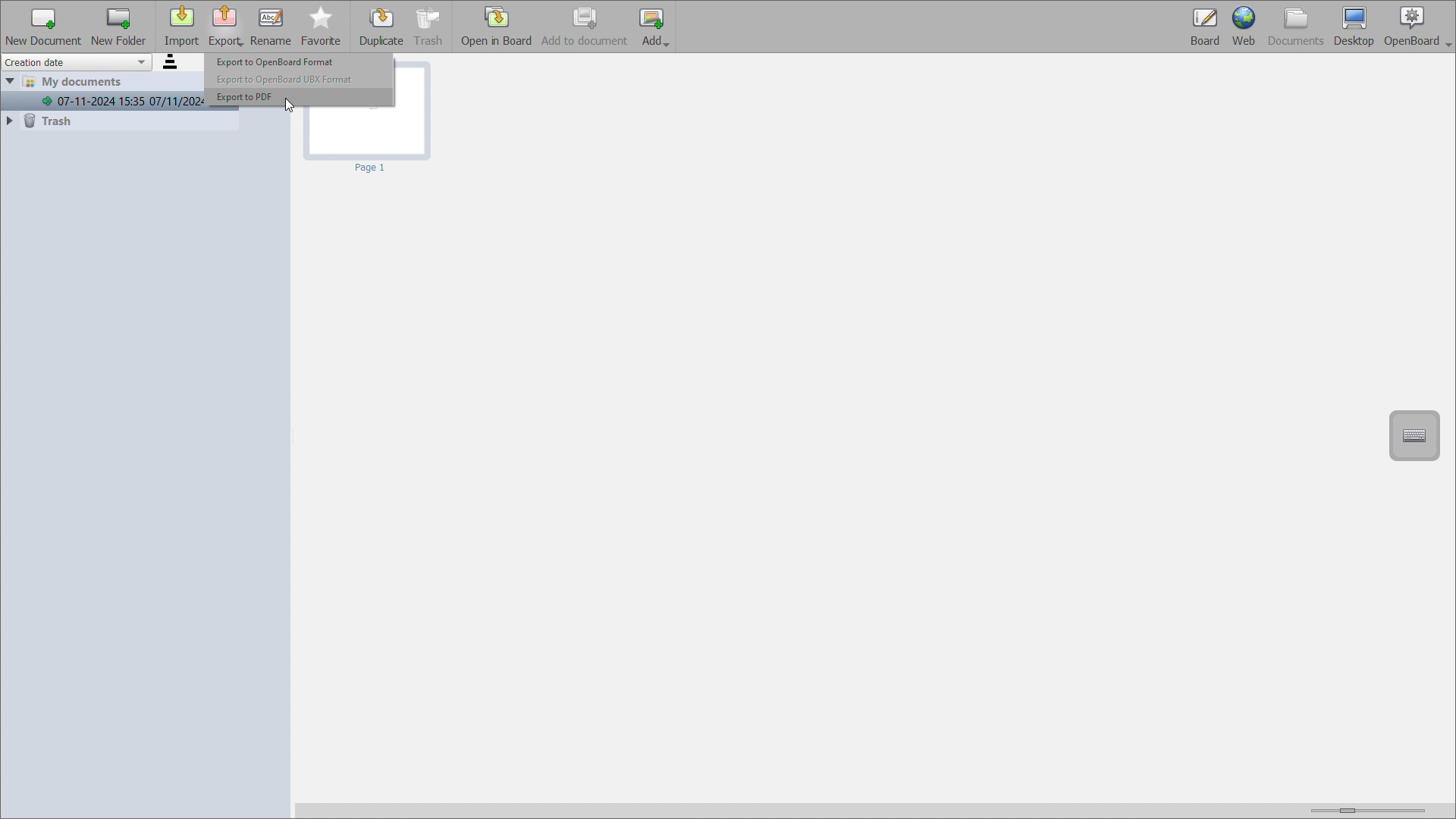 The width and height of the screenshot is (1456, 819). What do you see at coordinates (90, 83) in the screenshot?
I see `my documents` at bounding box center [90, 83].